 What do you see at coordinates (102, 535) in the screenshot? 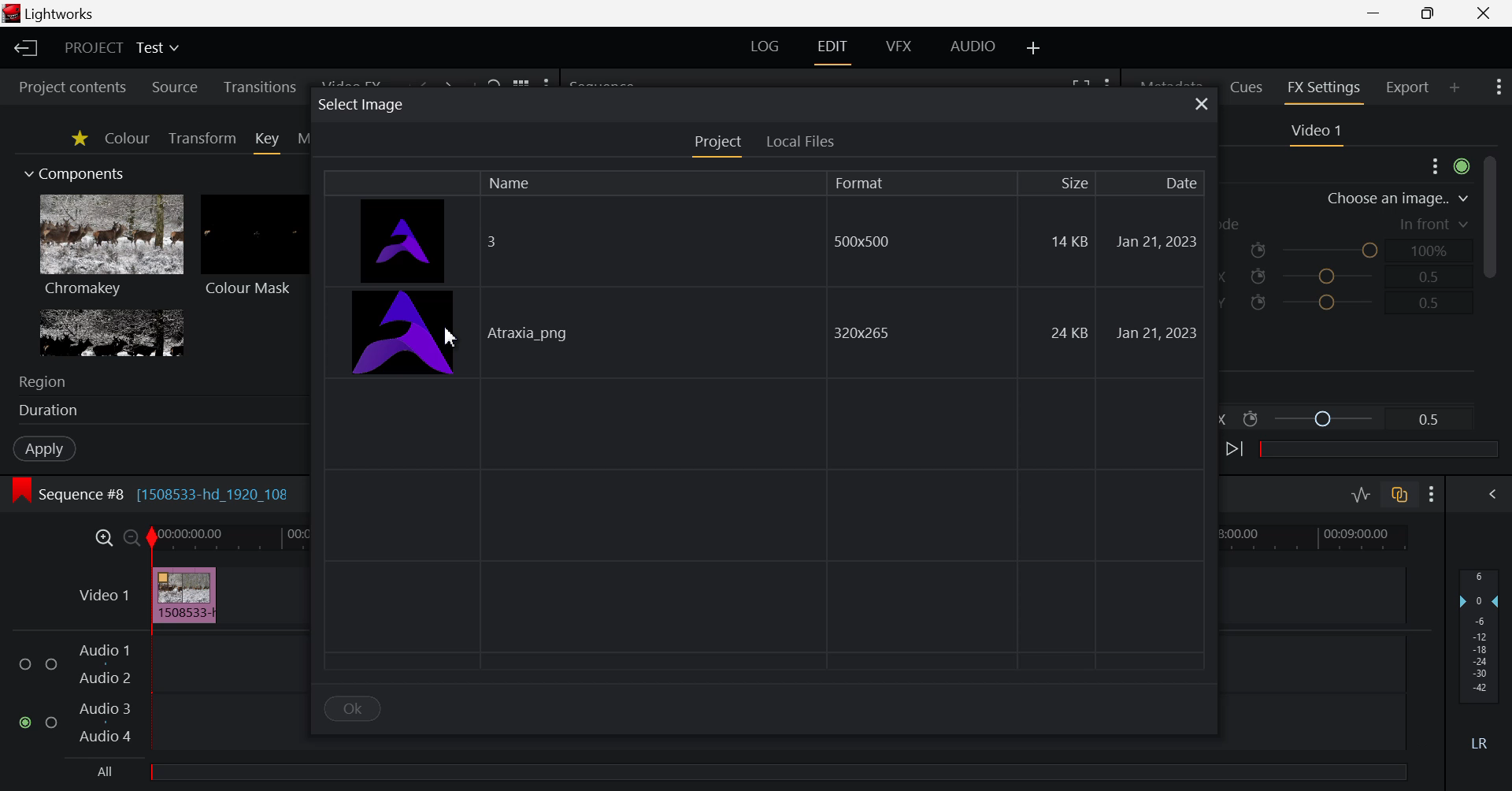
I see `Timeline Zoom In` at bounding box center [102, 535].